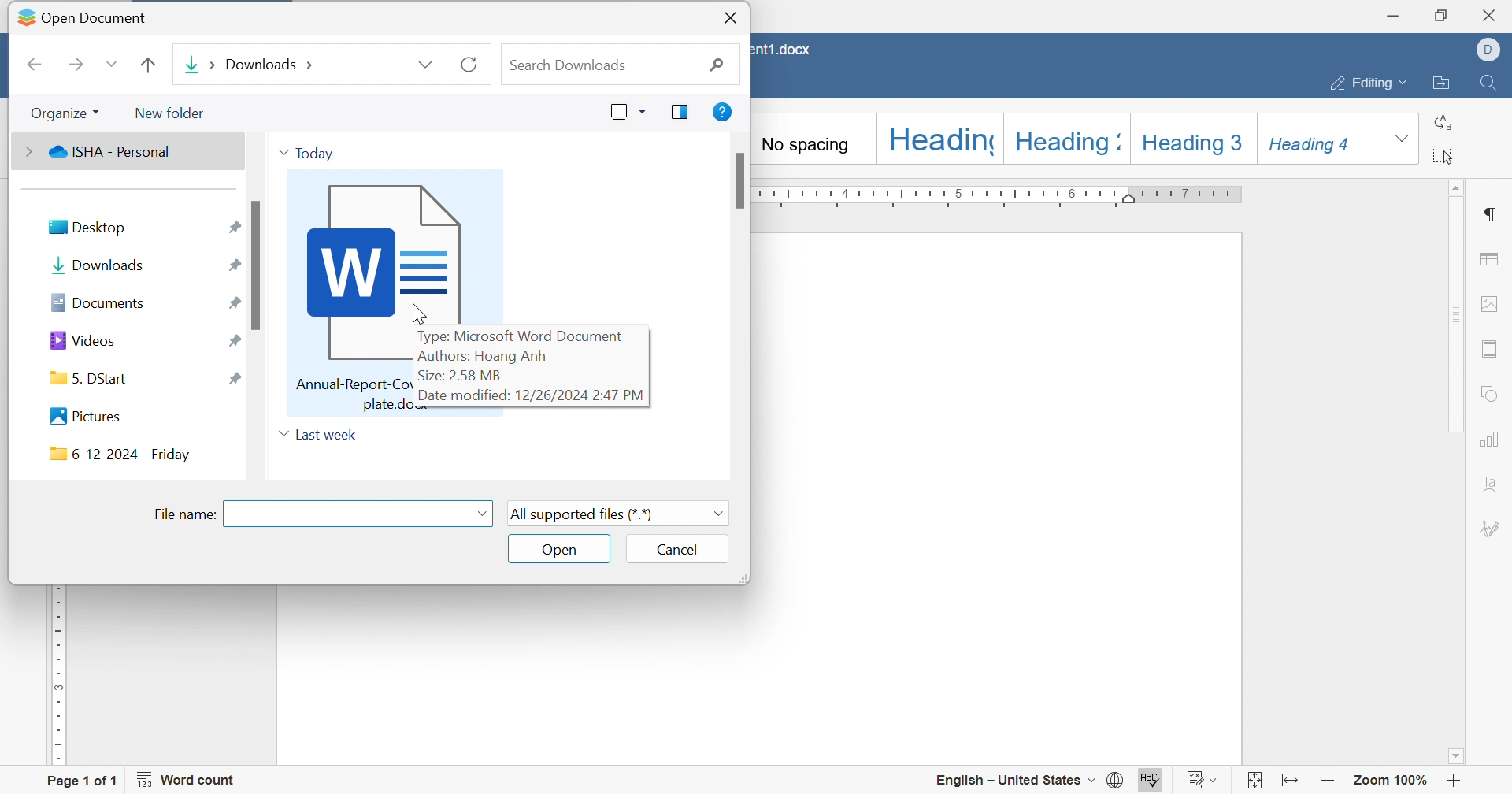  Describe the element at coordinates (94, 228) in the screenshot. I see `desktop` at that location.